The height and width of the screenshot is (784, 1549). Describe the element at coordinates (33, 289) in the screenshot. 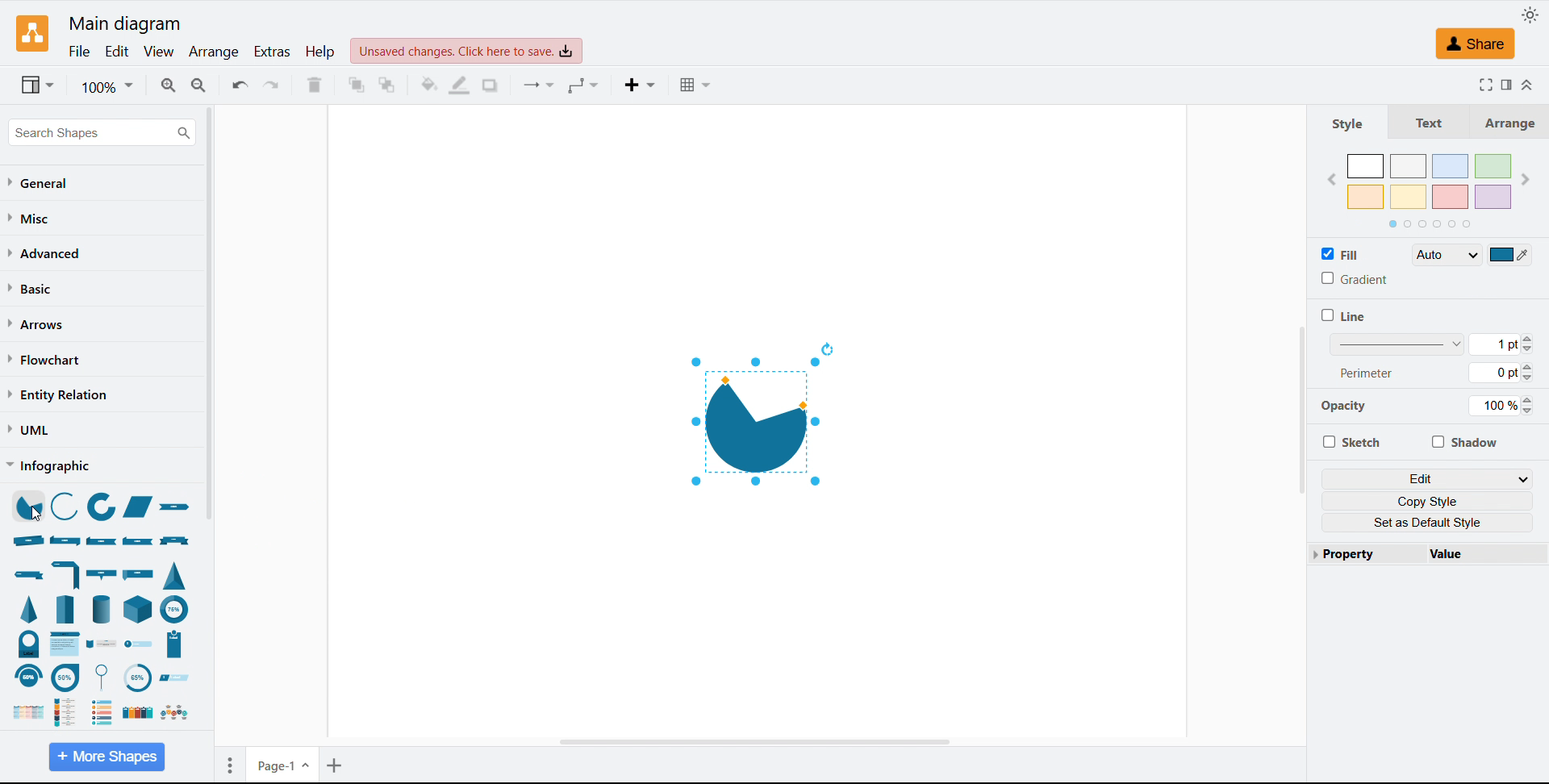

I see ` Basic ` at that location.